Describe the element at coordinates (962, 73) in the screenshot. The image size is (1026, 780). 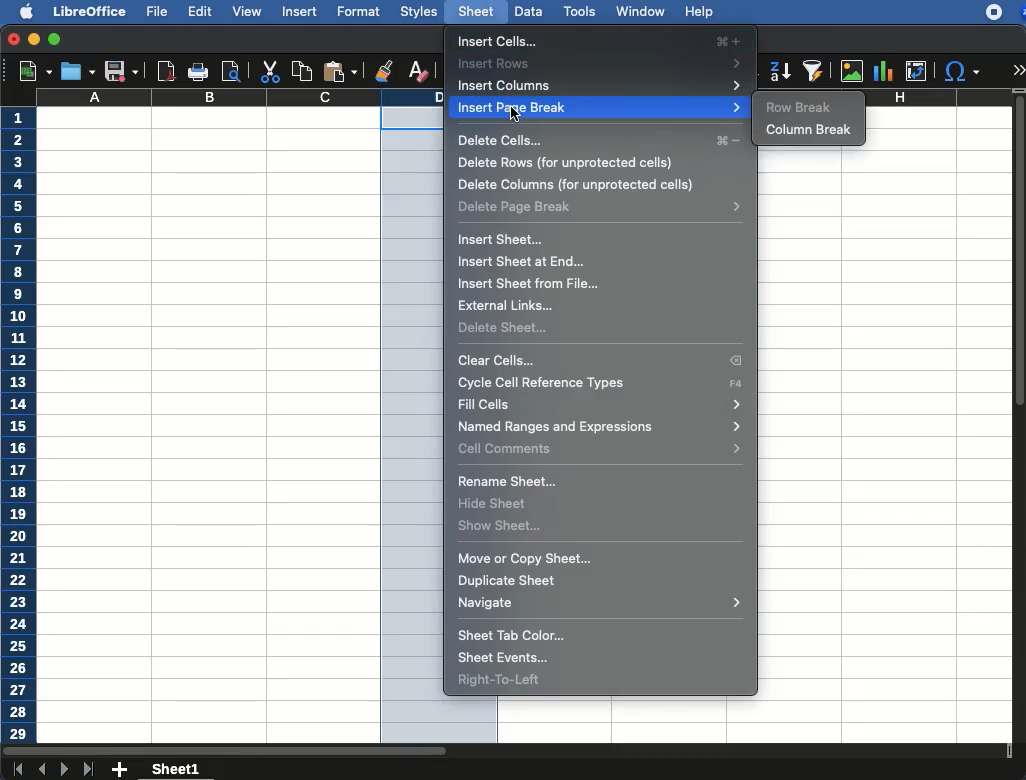
I see `special character` at that location.